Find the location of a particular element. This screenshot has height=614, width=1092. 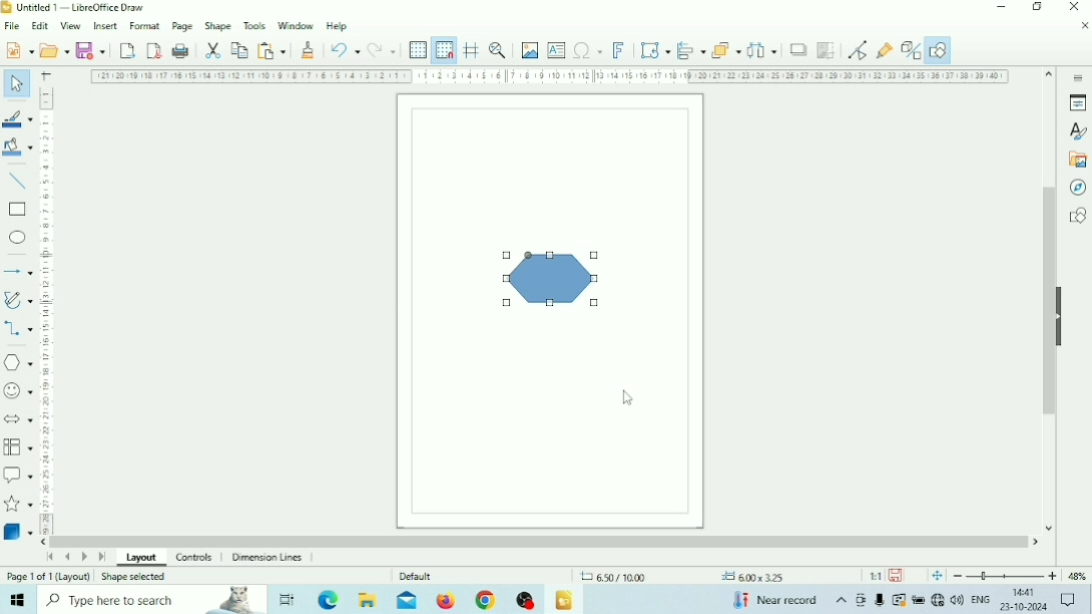

Sidebar settings is located at coordinates (1077, 76).